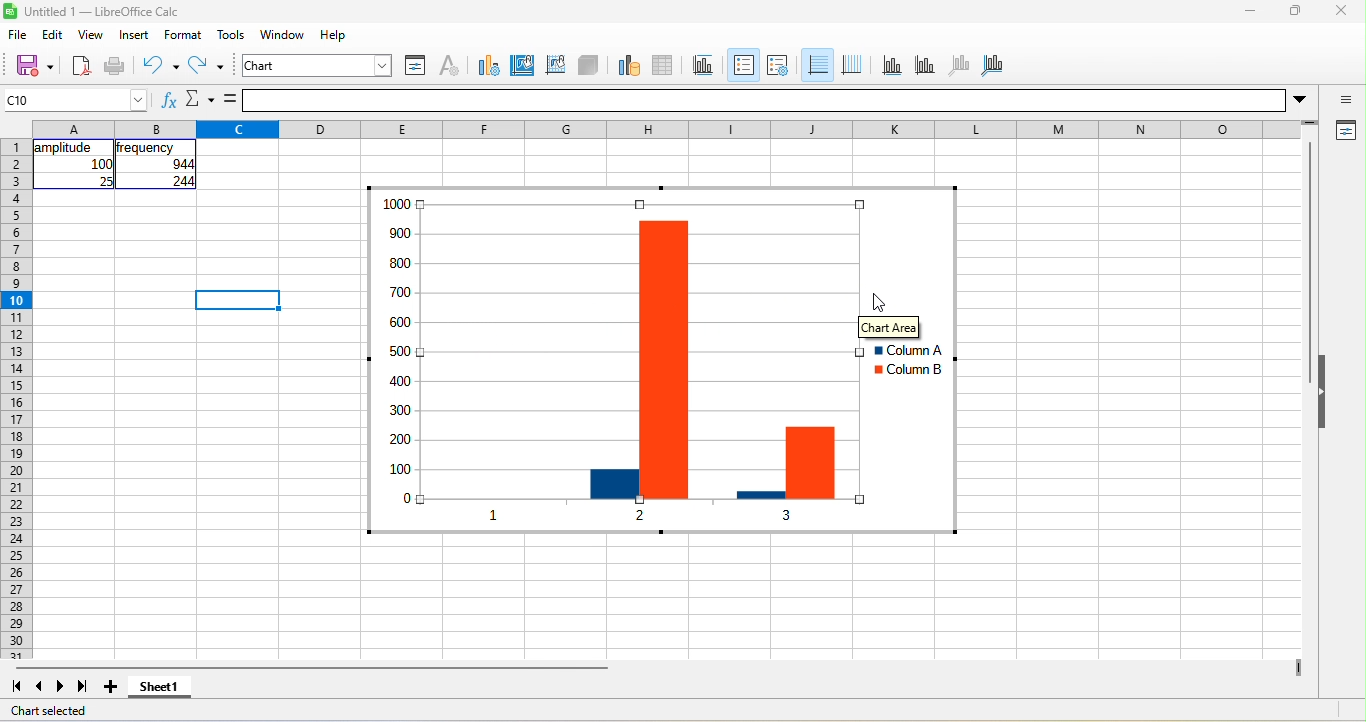 The height and width of the screenshot is (722, 1366). What do you see at coordinates (589, 64) in the screenshot?
I see `3d view` at bounding box center [589, 64].